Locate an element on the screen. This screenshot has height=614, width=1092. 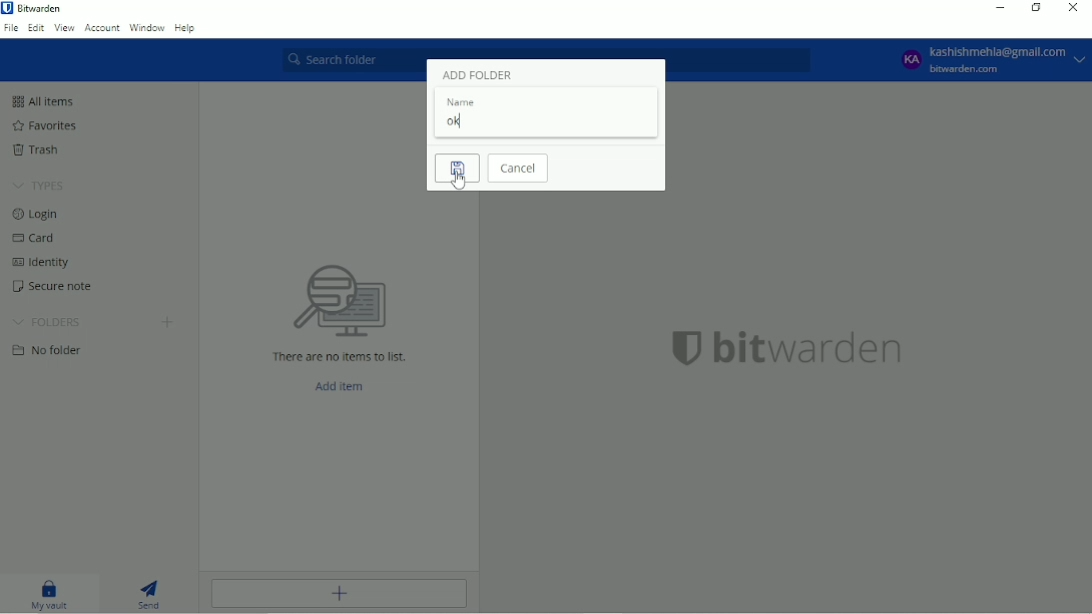
Identity is located at coordinates (46, 264).